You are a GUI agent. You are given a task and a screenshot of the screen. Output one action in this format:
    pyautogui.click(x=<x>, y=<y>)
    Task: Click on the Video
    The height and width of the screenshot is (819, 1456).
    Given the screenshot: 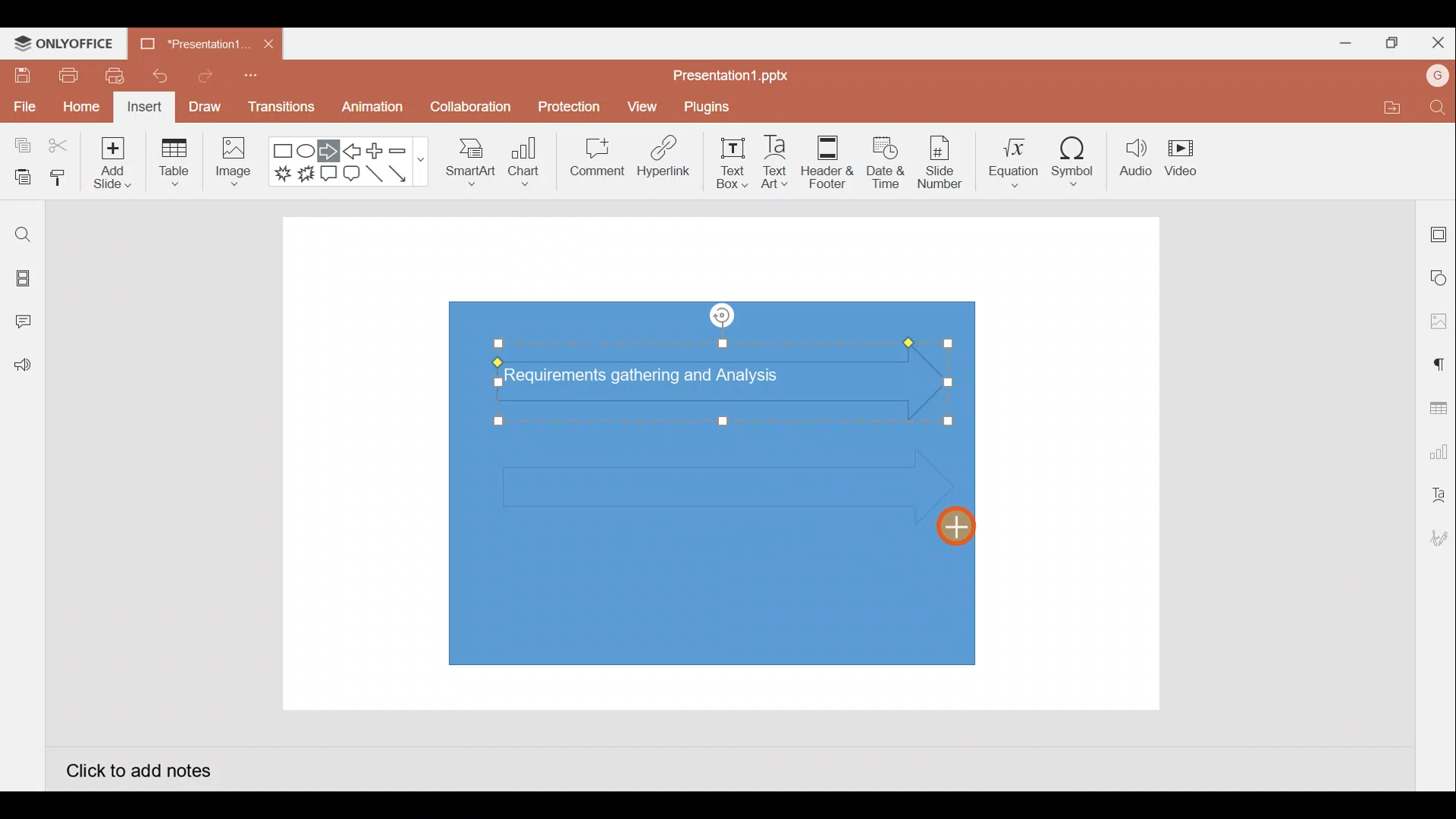 What is the action you would take?
    pyautogui.click(x=1183, y=155)
    